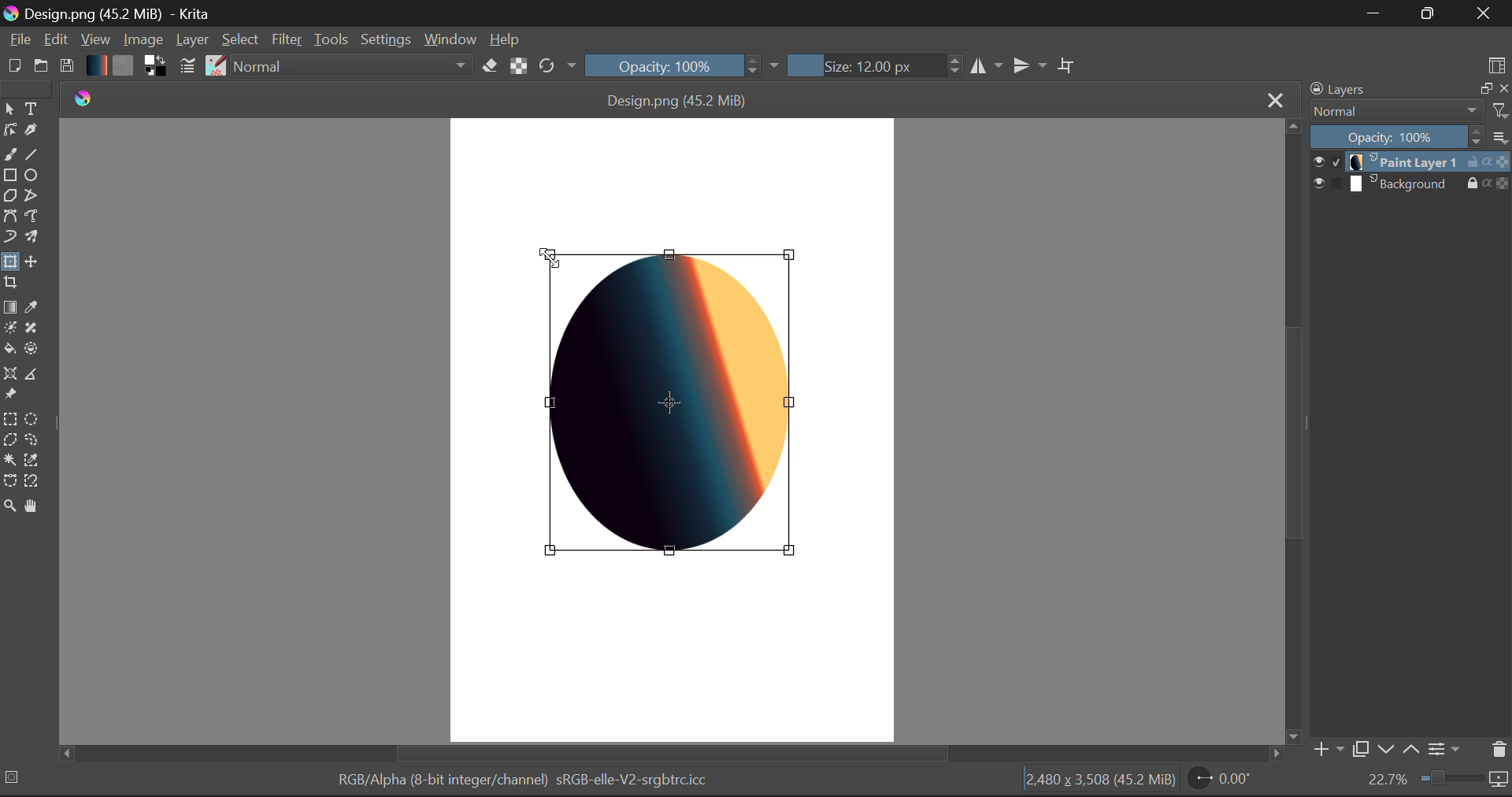 The width and height of the screenshot is (1512, 797). Describe the element at coordinates (9, 218) in the screenshot. I see `Bezier Curve` at that location.